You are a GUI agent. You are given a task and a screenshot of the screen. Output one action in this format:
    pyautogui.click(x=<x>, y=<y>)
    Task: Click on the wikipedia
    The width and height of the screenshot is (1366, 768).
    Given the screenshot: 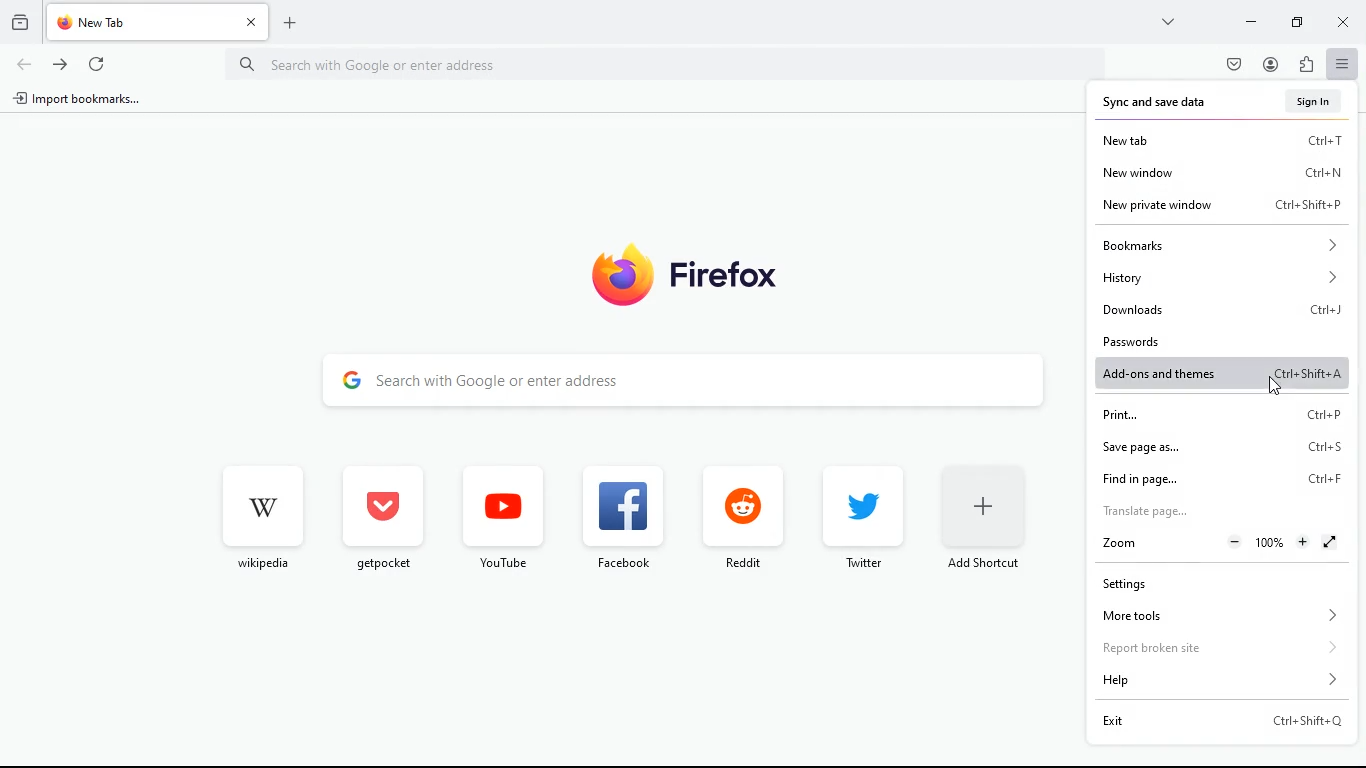 What is the action you would take?
    pyautogui.click(x=265, y=526)
    